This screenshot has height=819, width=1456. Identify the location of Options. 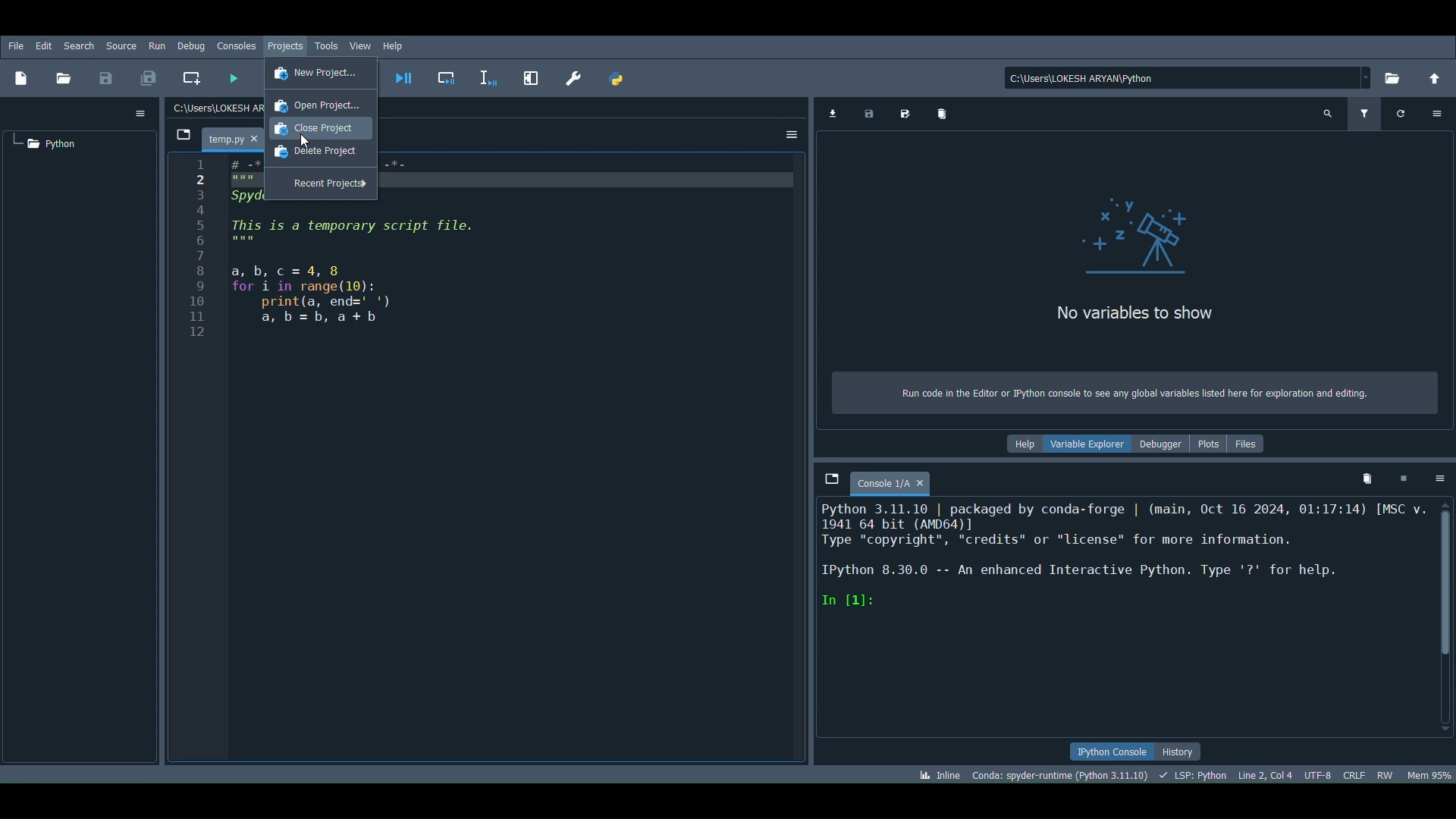
(792, 134).